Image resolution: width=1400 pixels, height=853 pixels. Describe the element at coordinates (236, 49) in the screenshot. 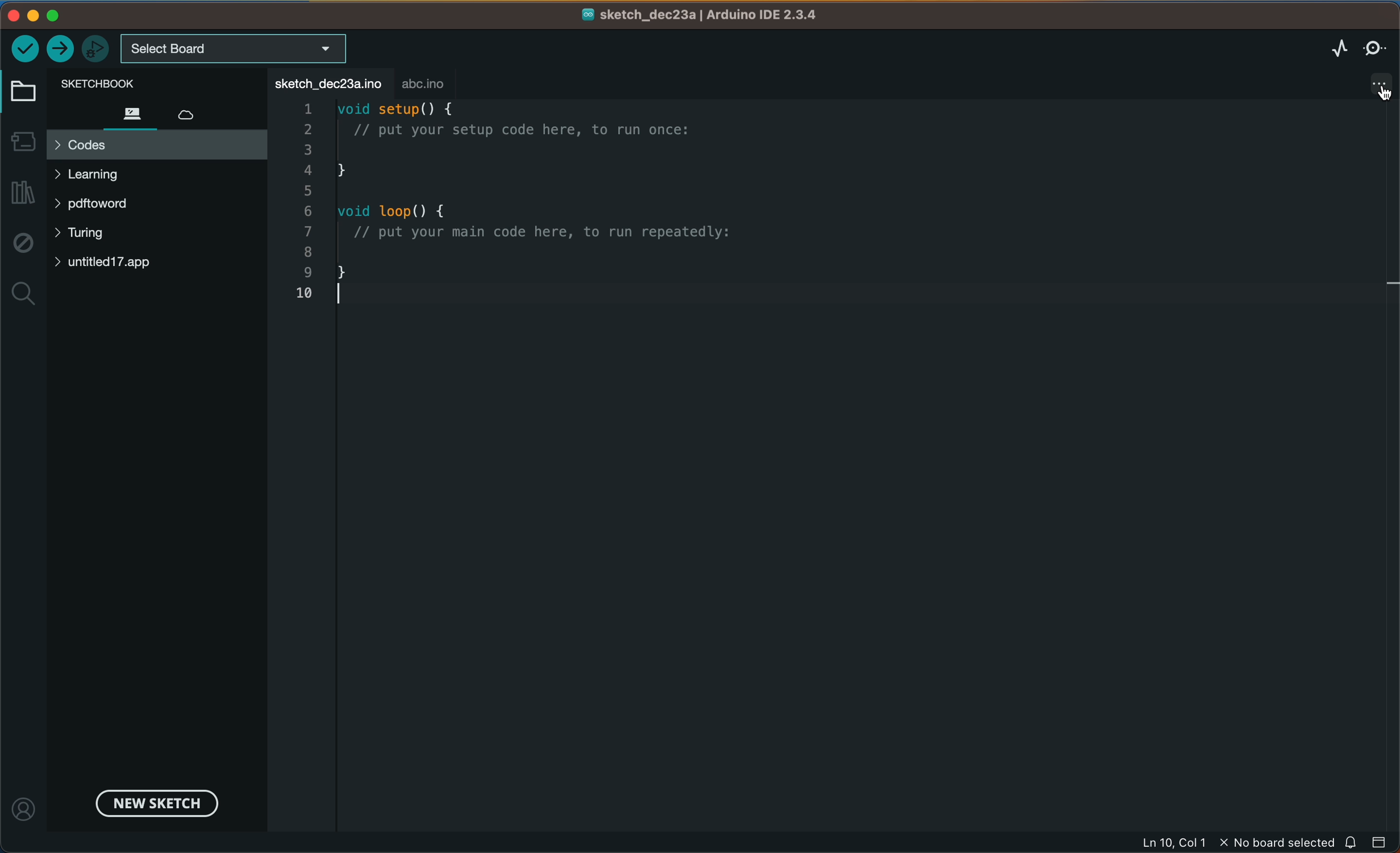

I see `board selecter` at that location.